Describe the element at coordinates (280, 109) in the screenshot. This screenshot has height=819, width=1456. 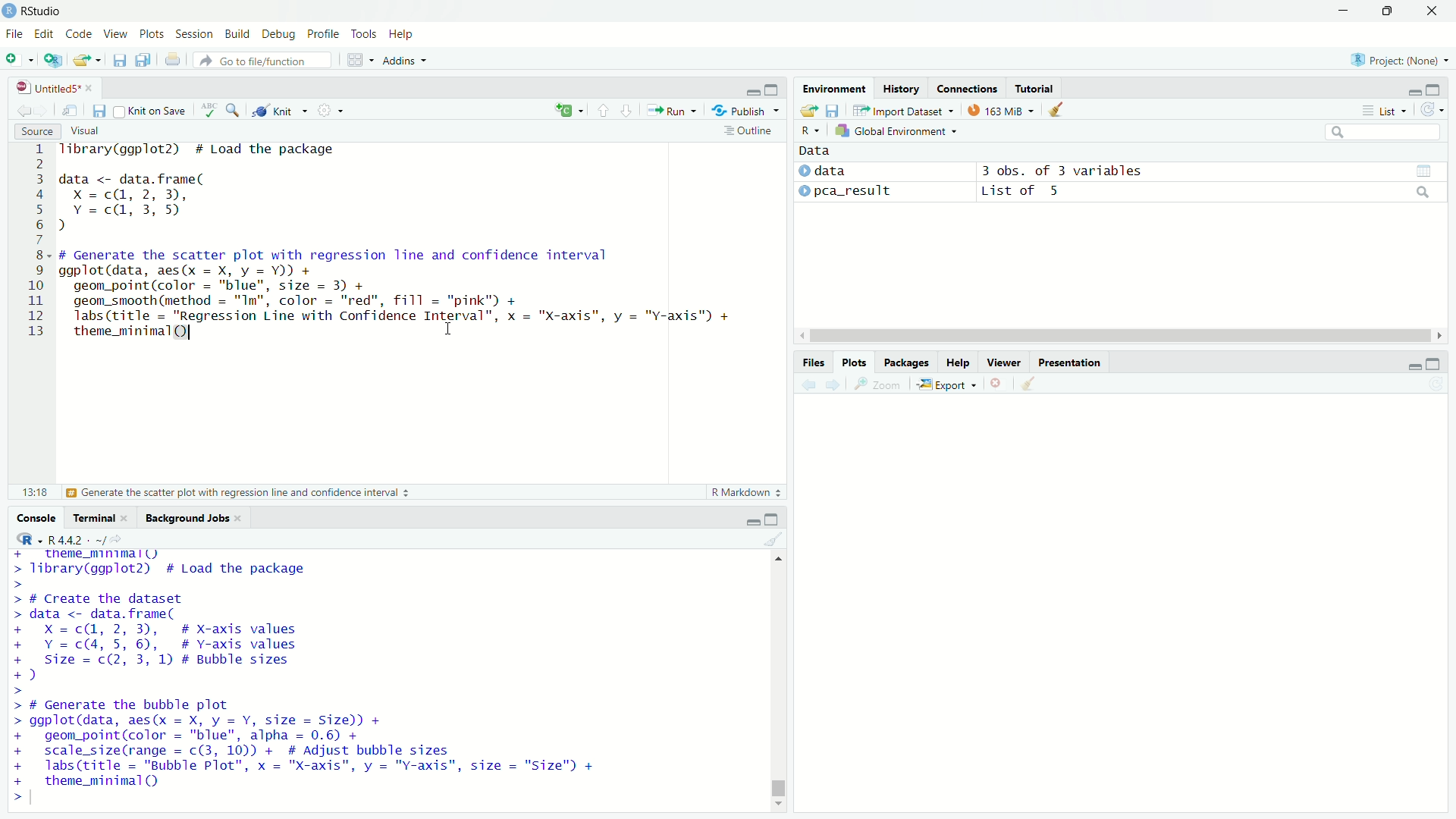
I see `Knit` at that location.